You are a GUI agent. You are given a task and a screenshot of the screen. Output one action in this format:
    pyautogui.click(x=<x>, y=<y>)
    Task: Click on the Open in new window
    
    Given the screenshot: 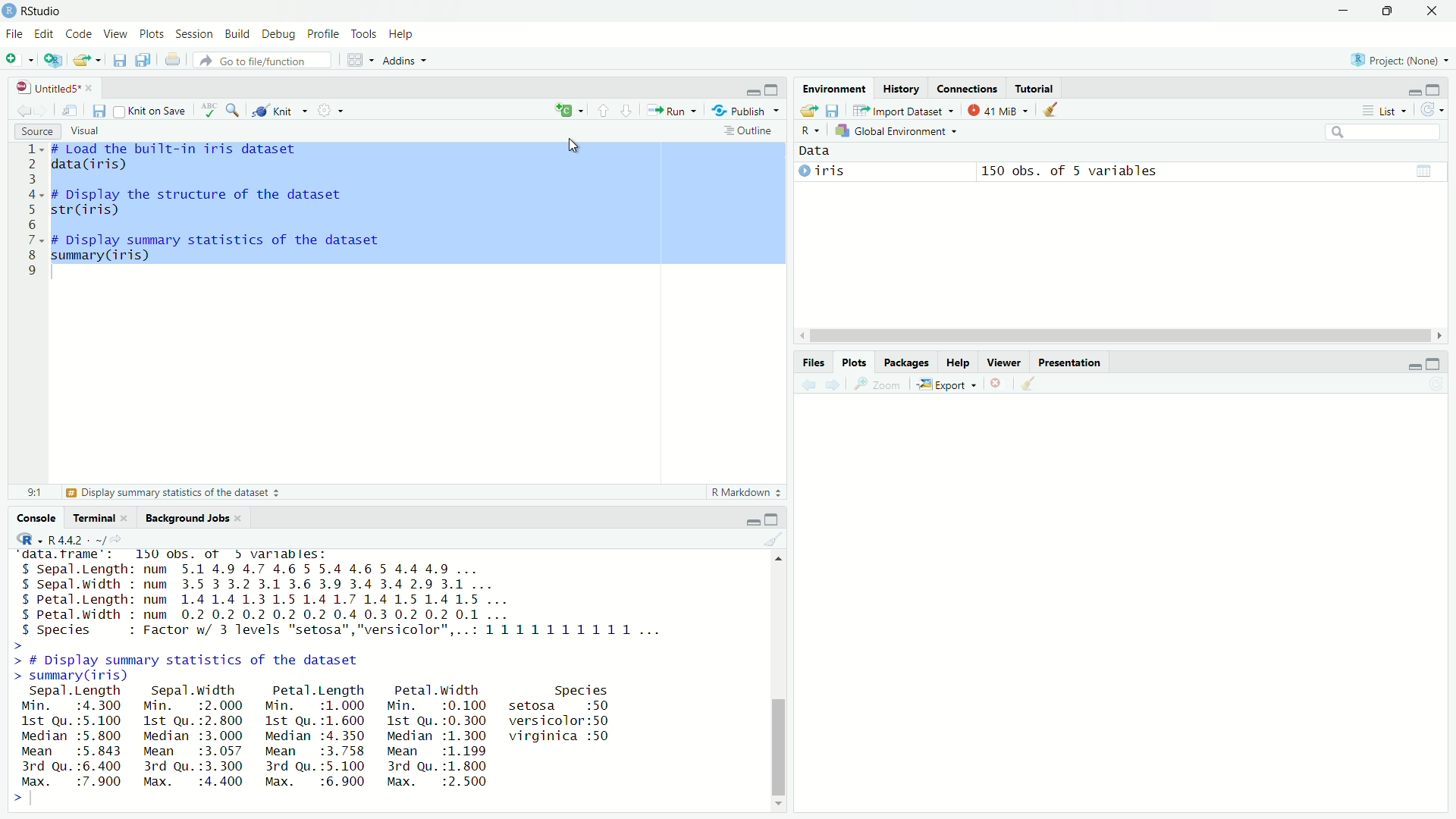 What is the action you would take?
    pyautogui.click(x=71, y=109)
    